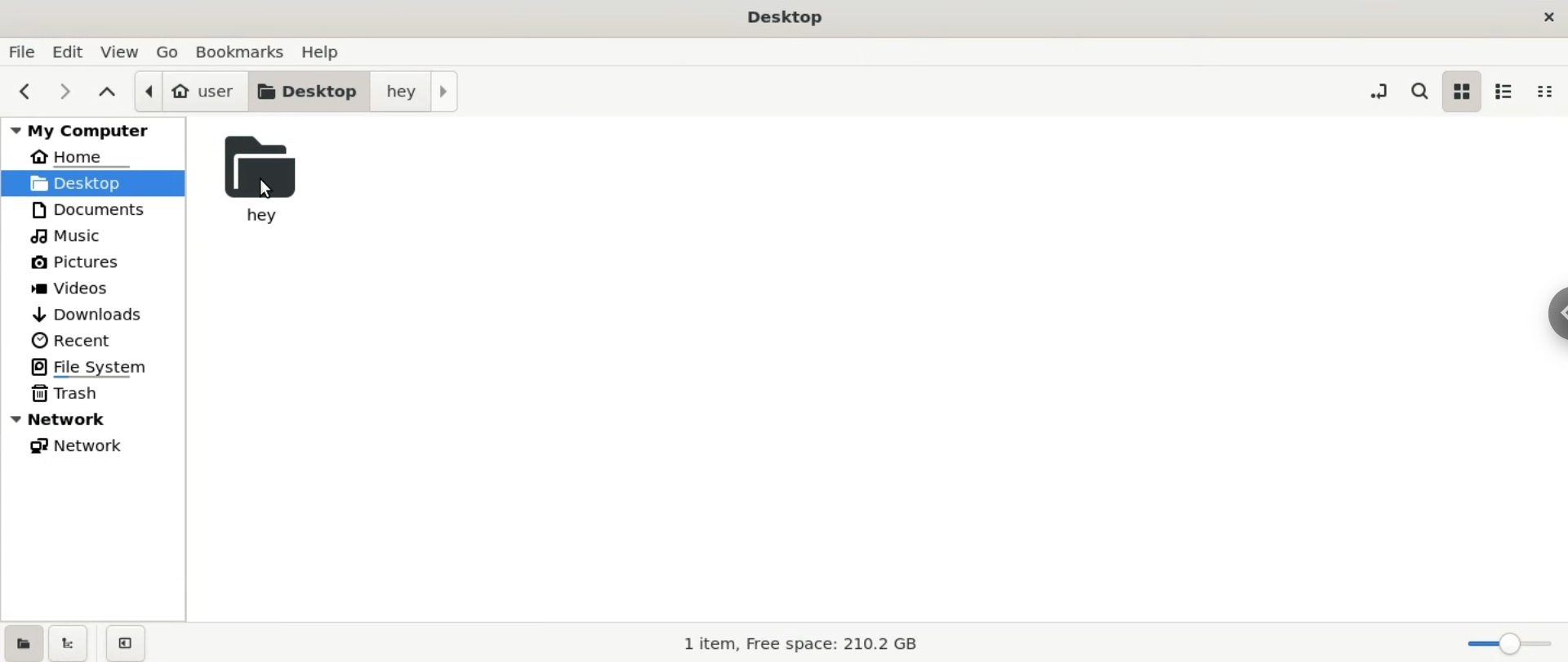 The image size is (1568, 662). What do you see at coordinates (191, 92) in the screenshot?
I see `user` at bounding box center [191, 92].